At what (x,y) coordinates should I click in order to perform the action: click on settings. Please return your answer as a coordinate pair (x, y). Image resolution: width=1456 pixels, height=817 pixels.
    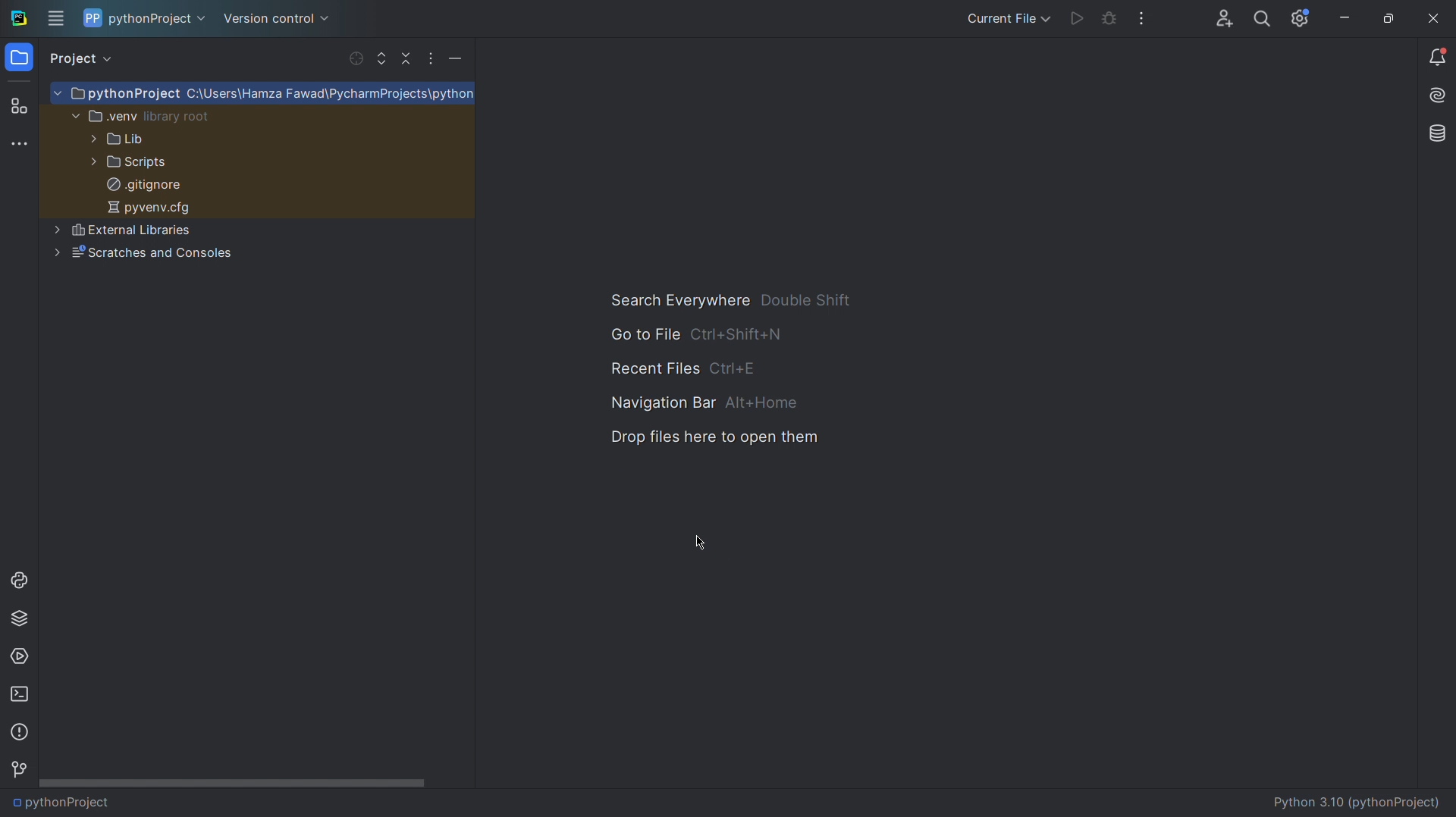
    Looking at the image, I should click on (1301, 20).